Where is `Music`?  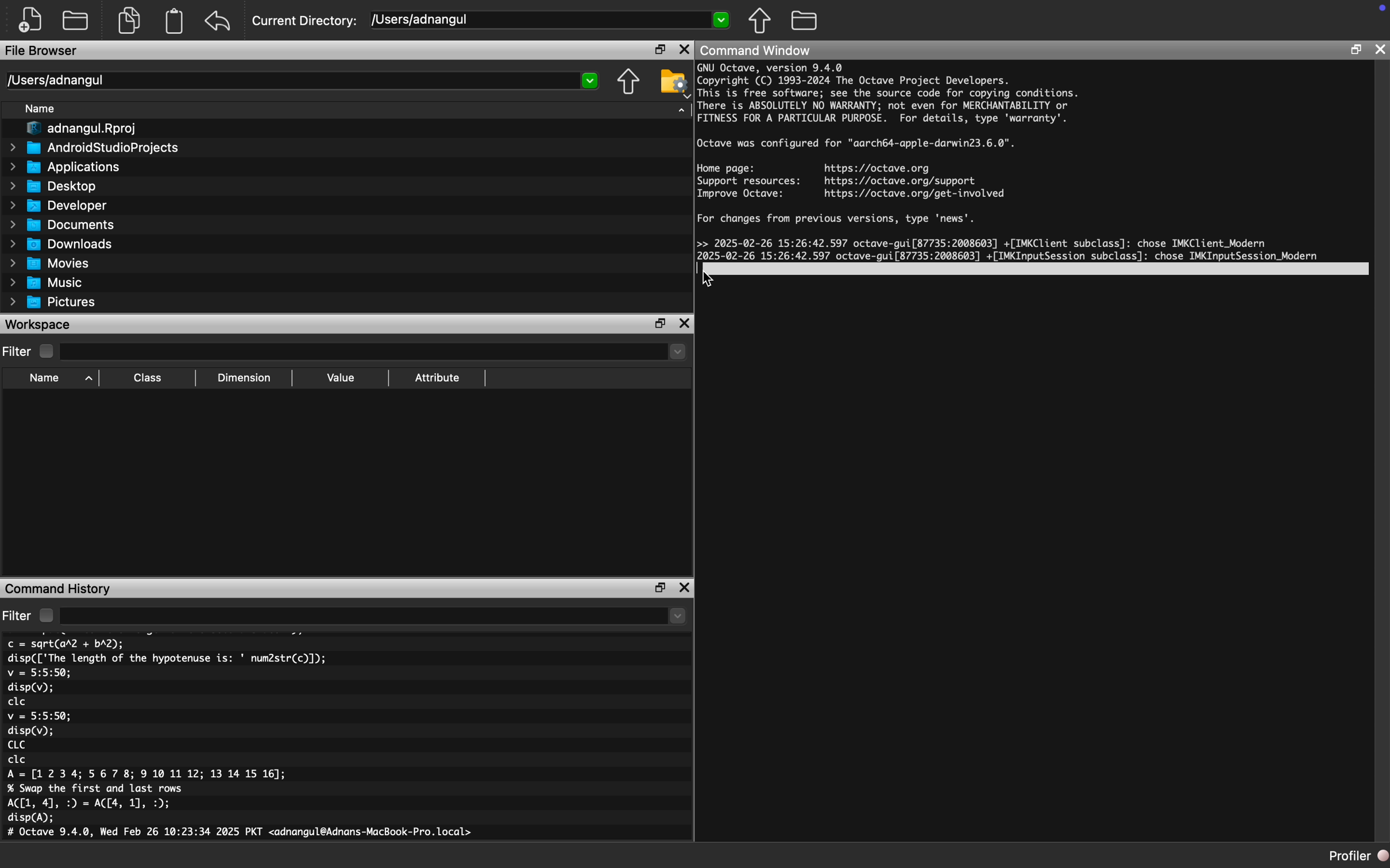 Music is located at coordinates (47, 282).